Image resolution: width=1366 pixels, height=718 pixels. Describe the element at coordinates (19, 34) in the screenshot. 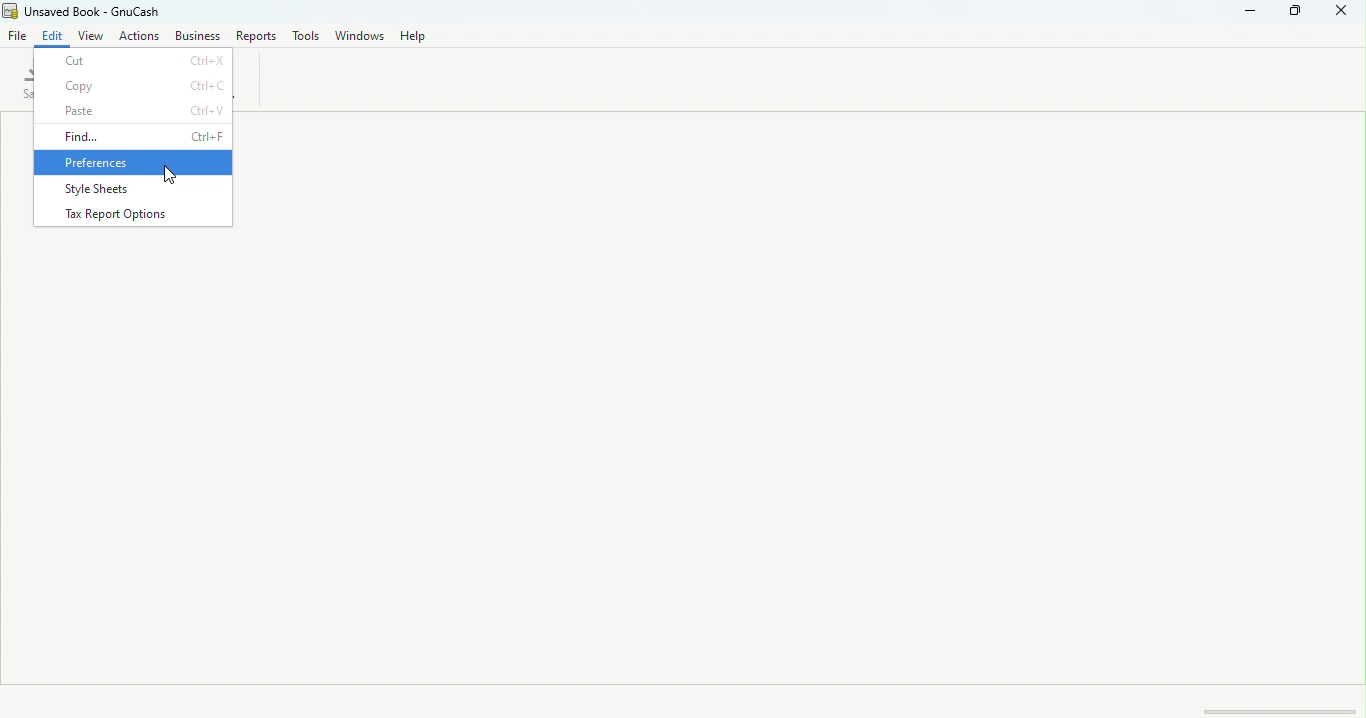

I see `File` at that location.